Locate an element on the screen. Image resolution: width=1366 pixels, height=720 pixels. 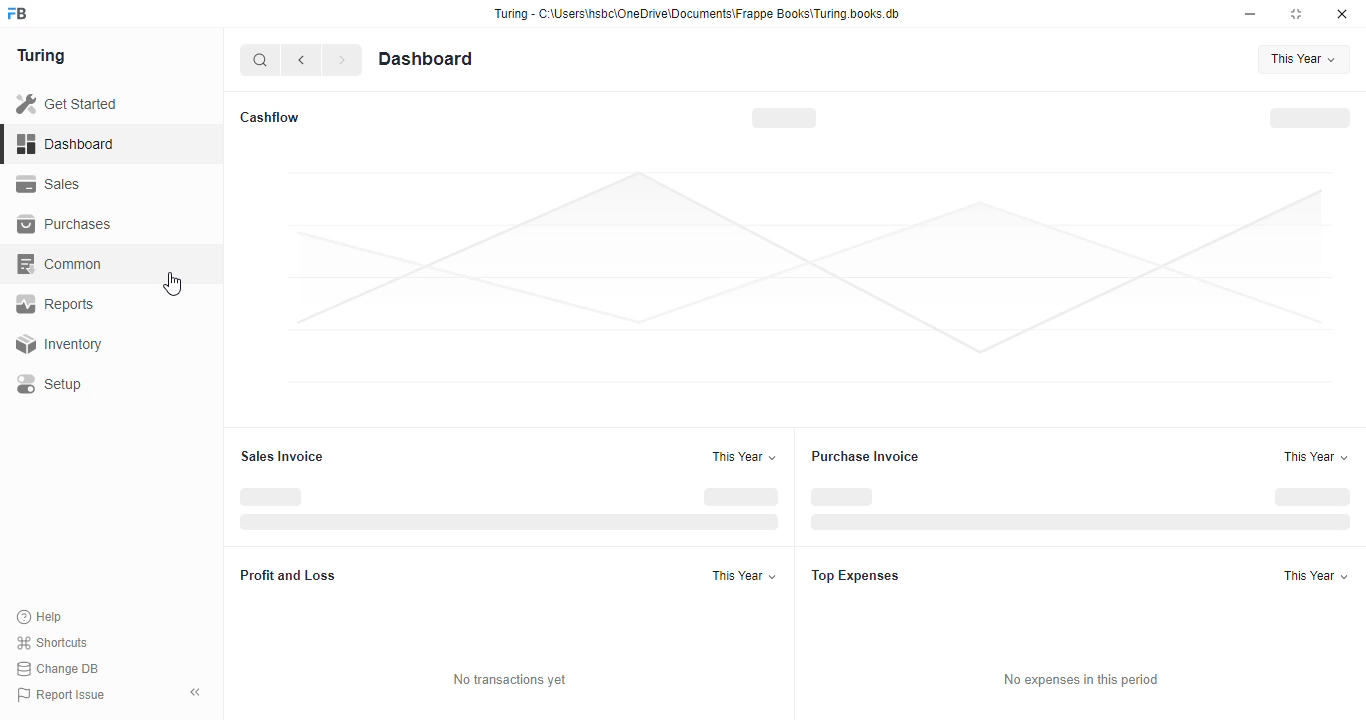
no transactions yet is located at coordinates (511, 680).